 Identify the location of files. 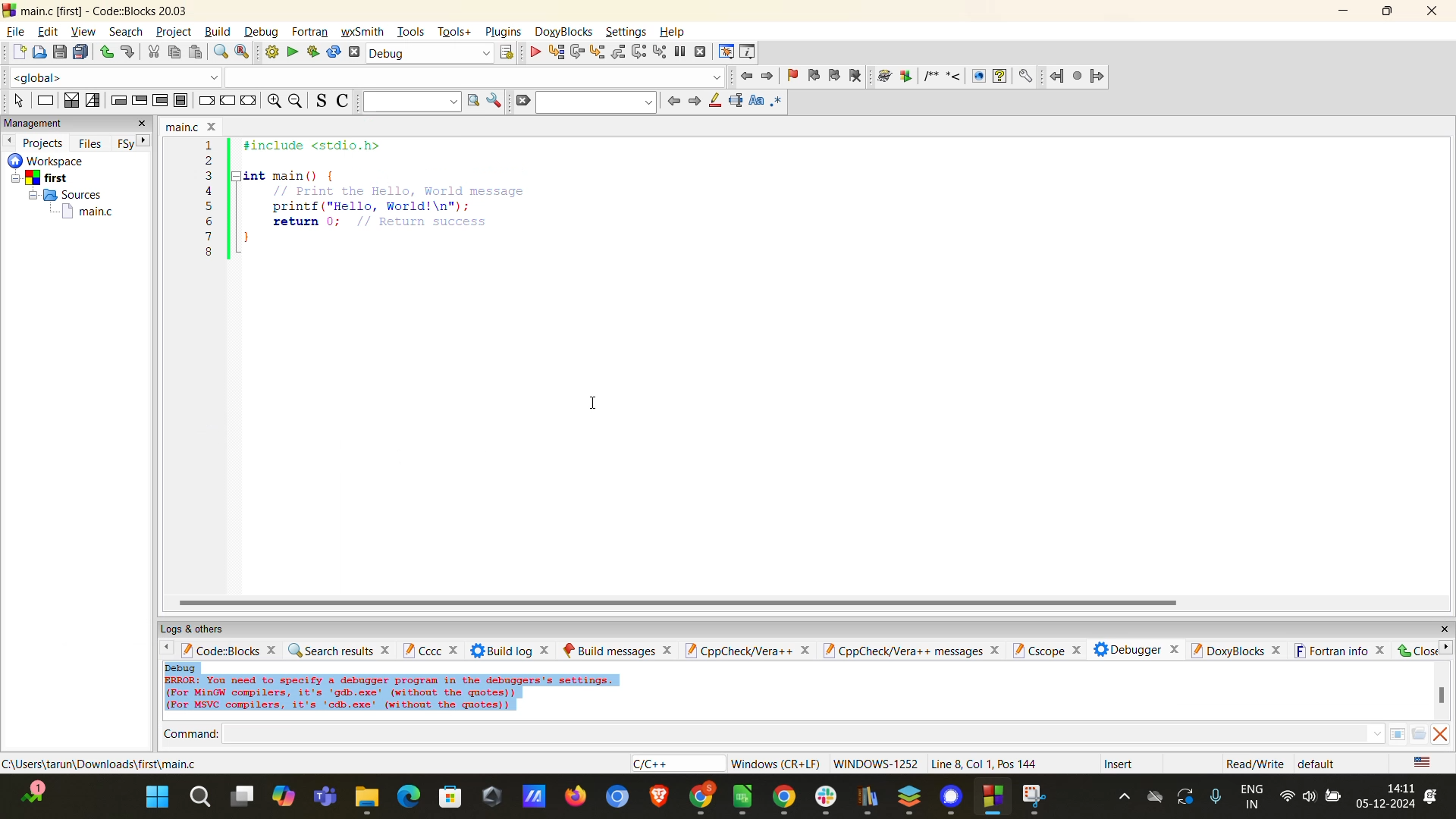
(90, 143).